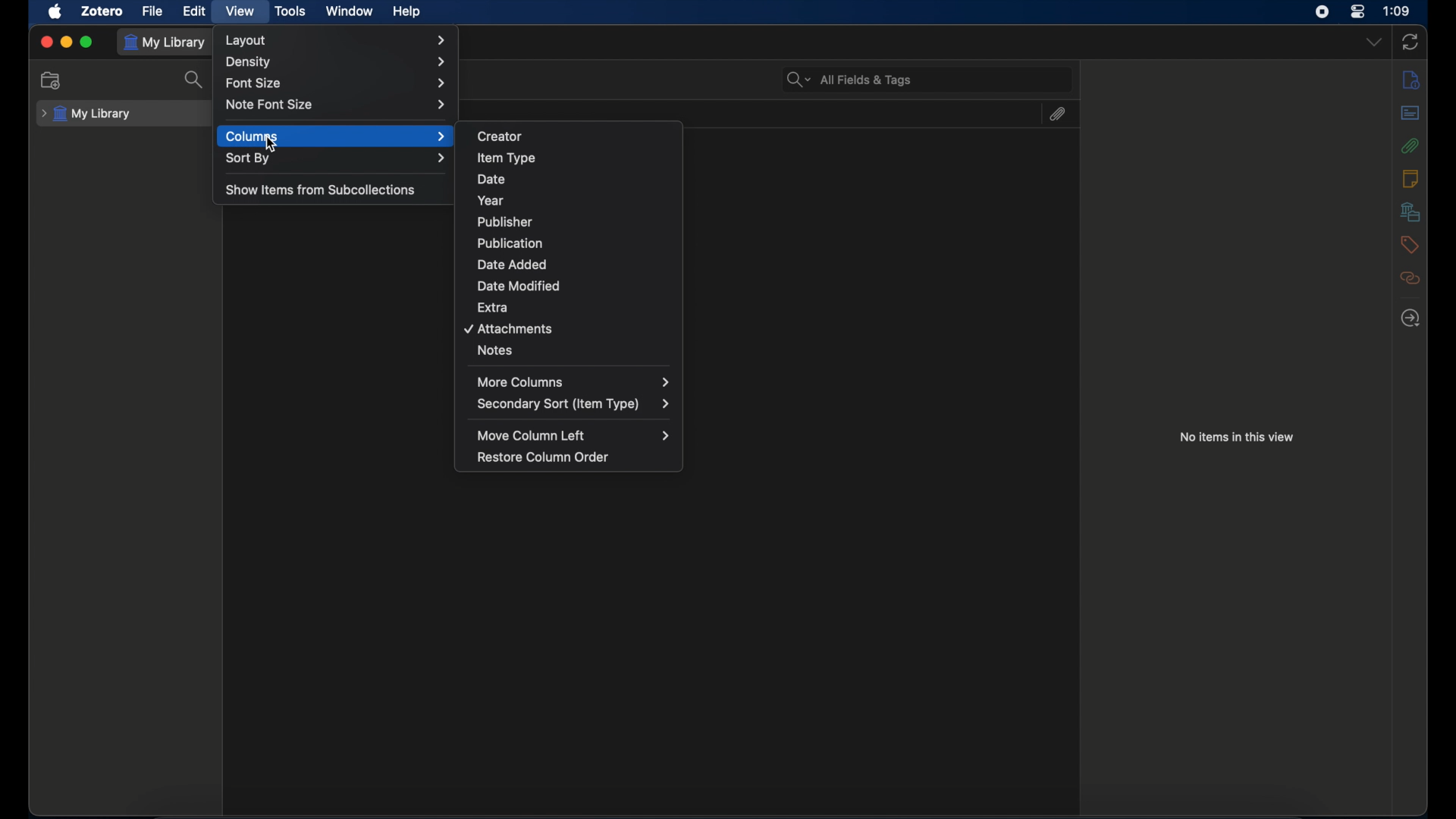  Describe the element at coordinates (1411, 42) in the screenshot. I see `sync` at that location.